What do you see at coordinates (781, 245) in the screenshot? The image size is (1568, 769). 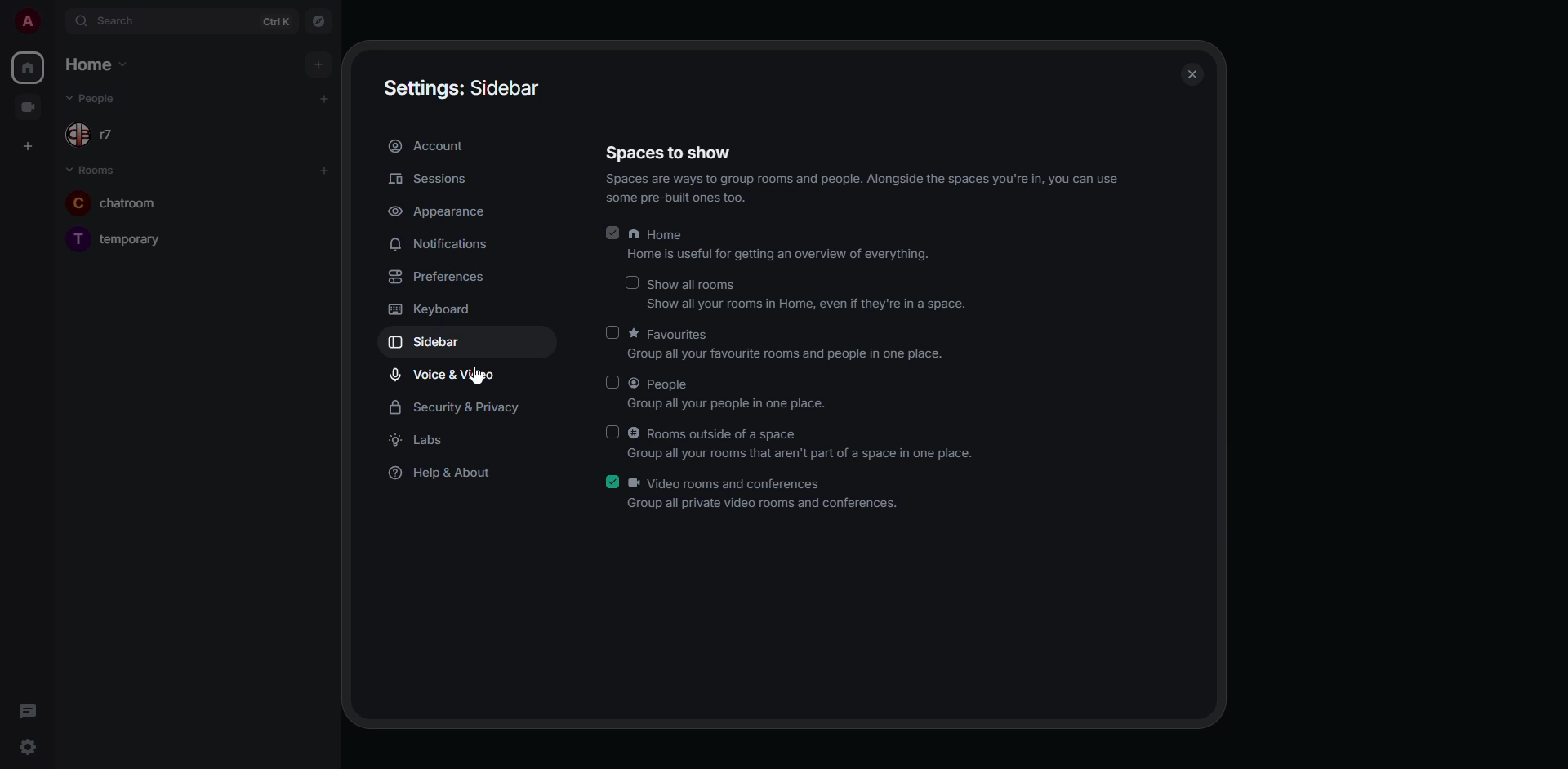 I see `home` at bounding box center [781, 245].